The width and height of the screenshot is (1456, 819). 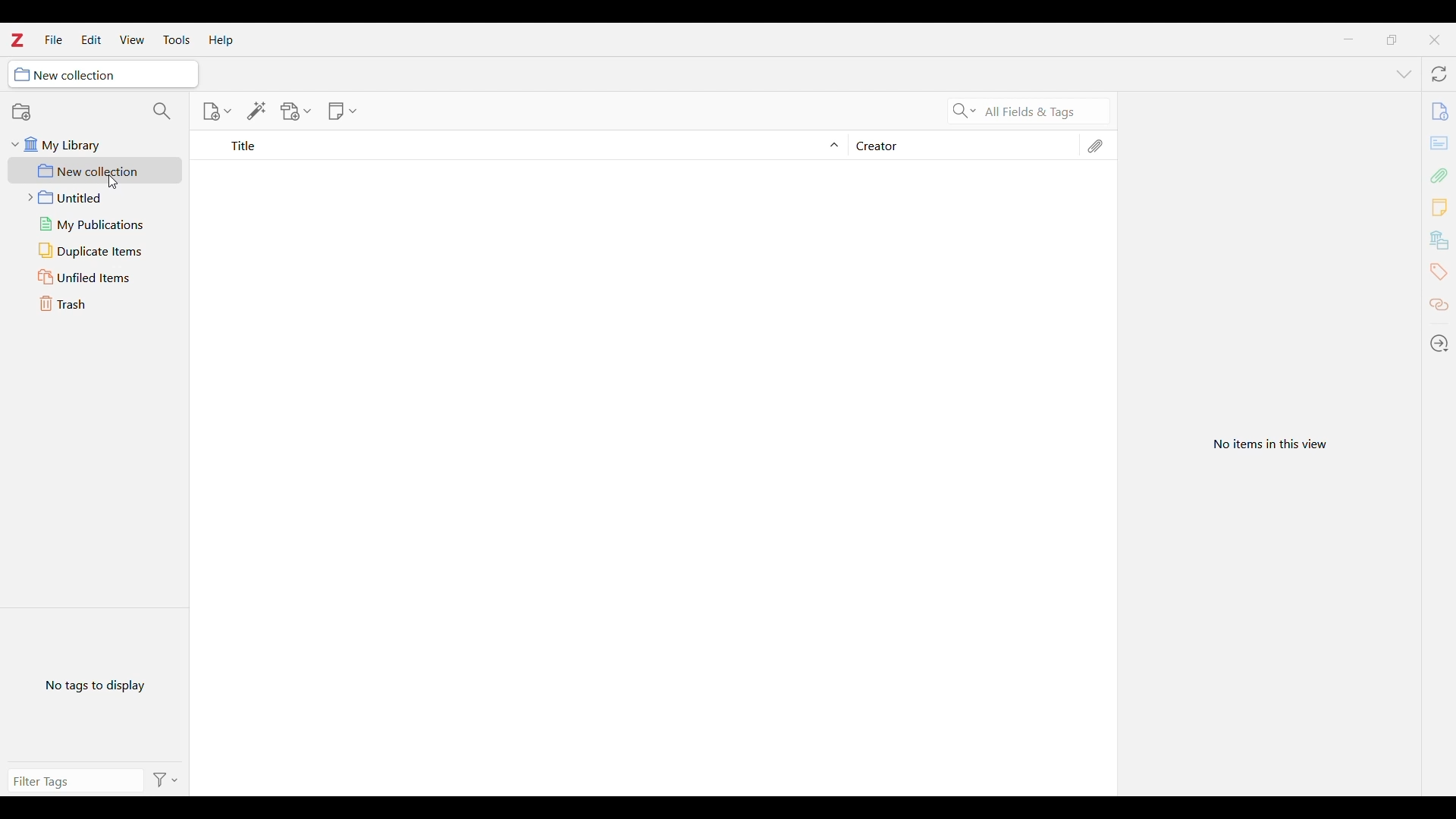 I want to click on Show interface in a smaller tab, so click(x=1392, y=40).